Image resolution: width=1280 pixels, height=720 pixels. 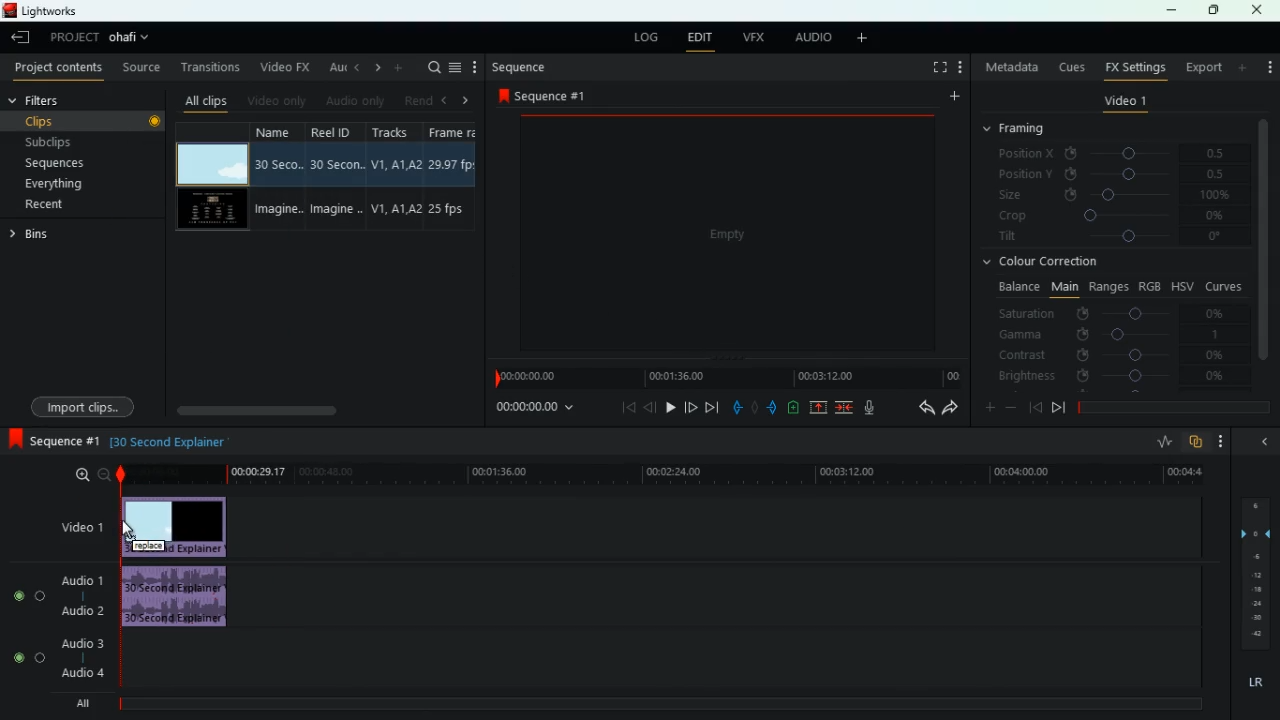 What do you see at coordinates (725, 378) in the screenshot?
I see `time` at bounding box center [725, 378].